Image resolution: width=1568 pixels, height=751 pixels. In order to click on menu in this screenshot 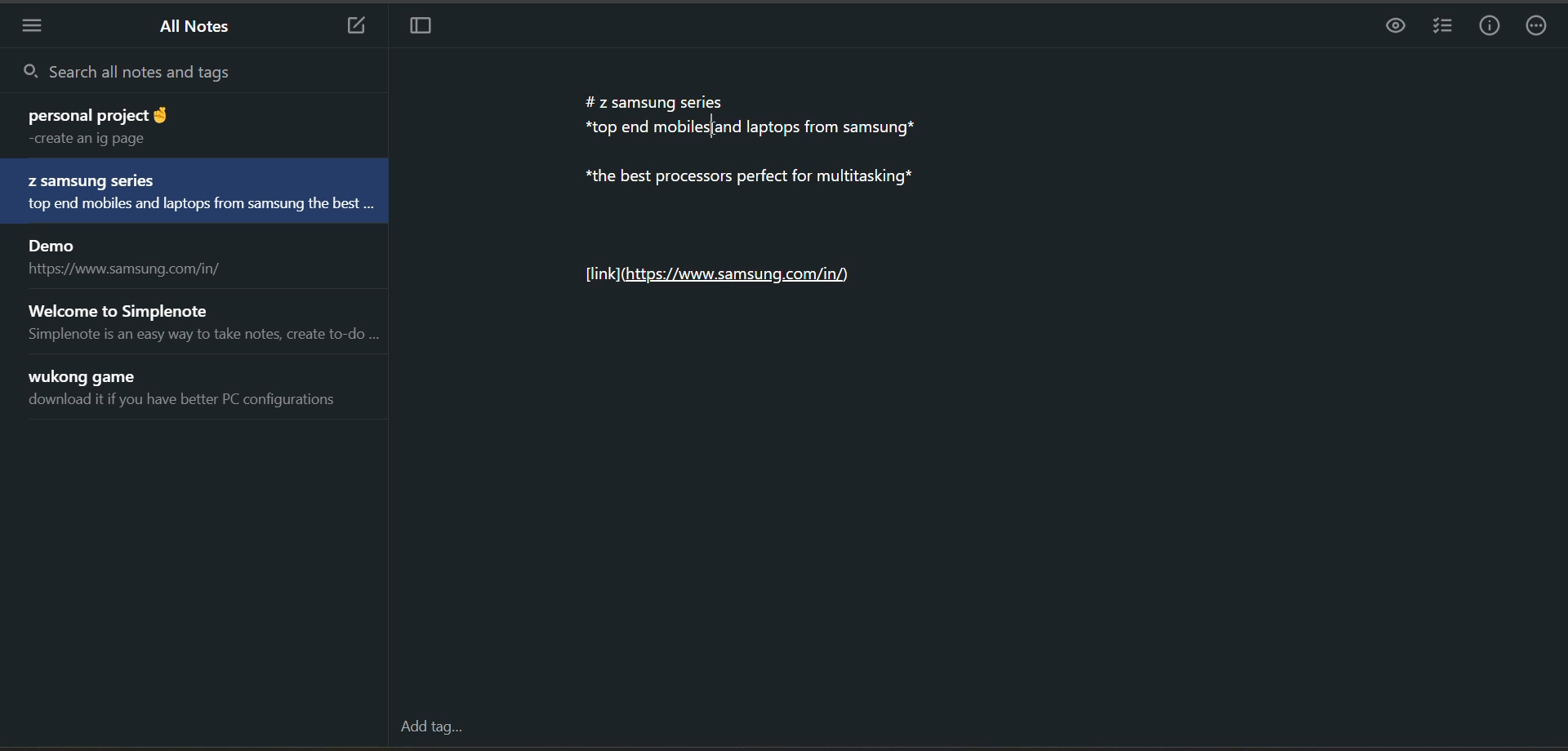, I will do `click(38, 24)`.